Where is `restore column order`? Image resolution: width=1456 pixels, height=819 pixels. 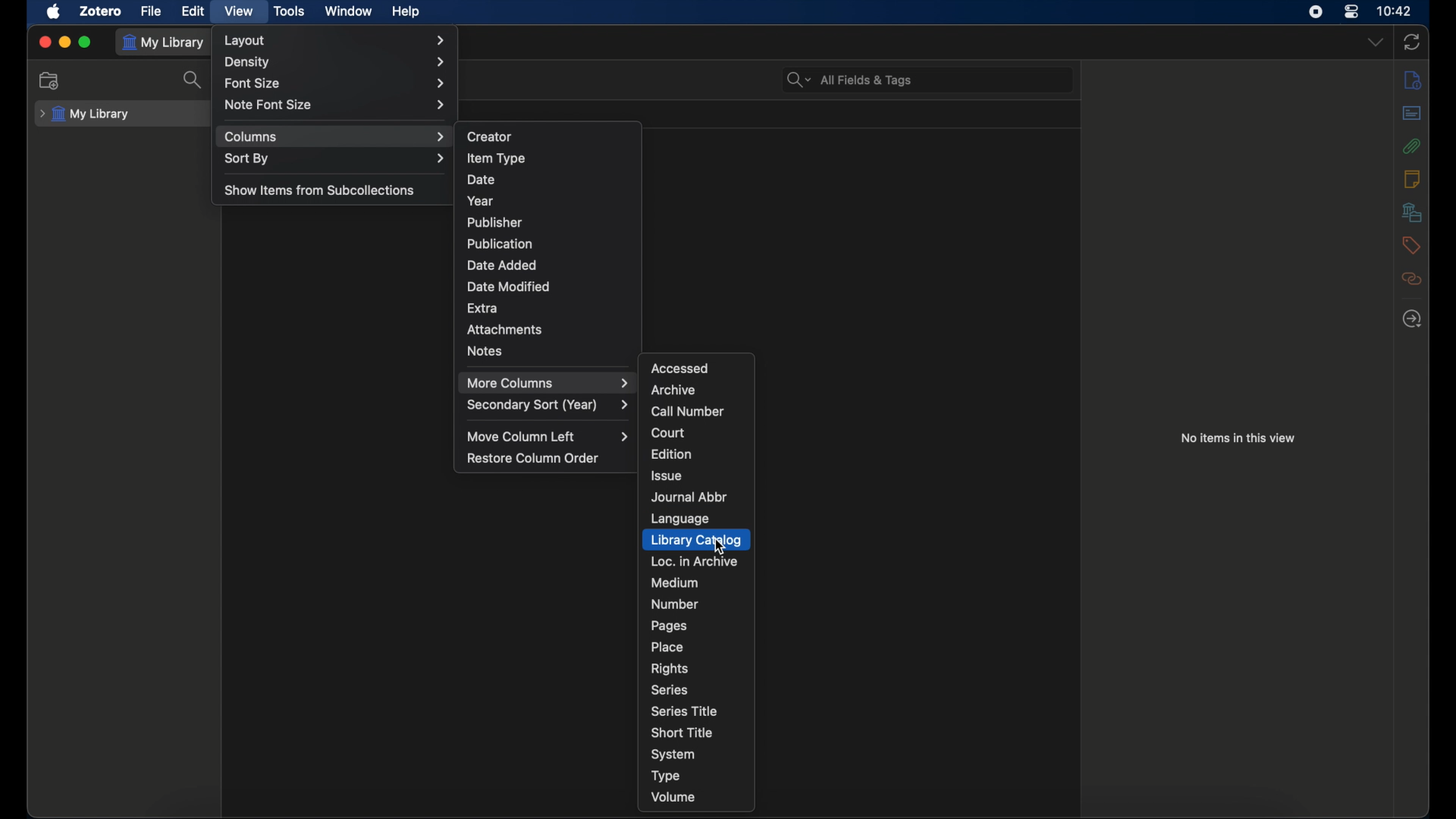
restore column order is located at coordinates (534, 458).